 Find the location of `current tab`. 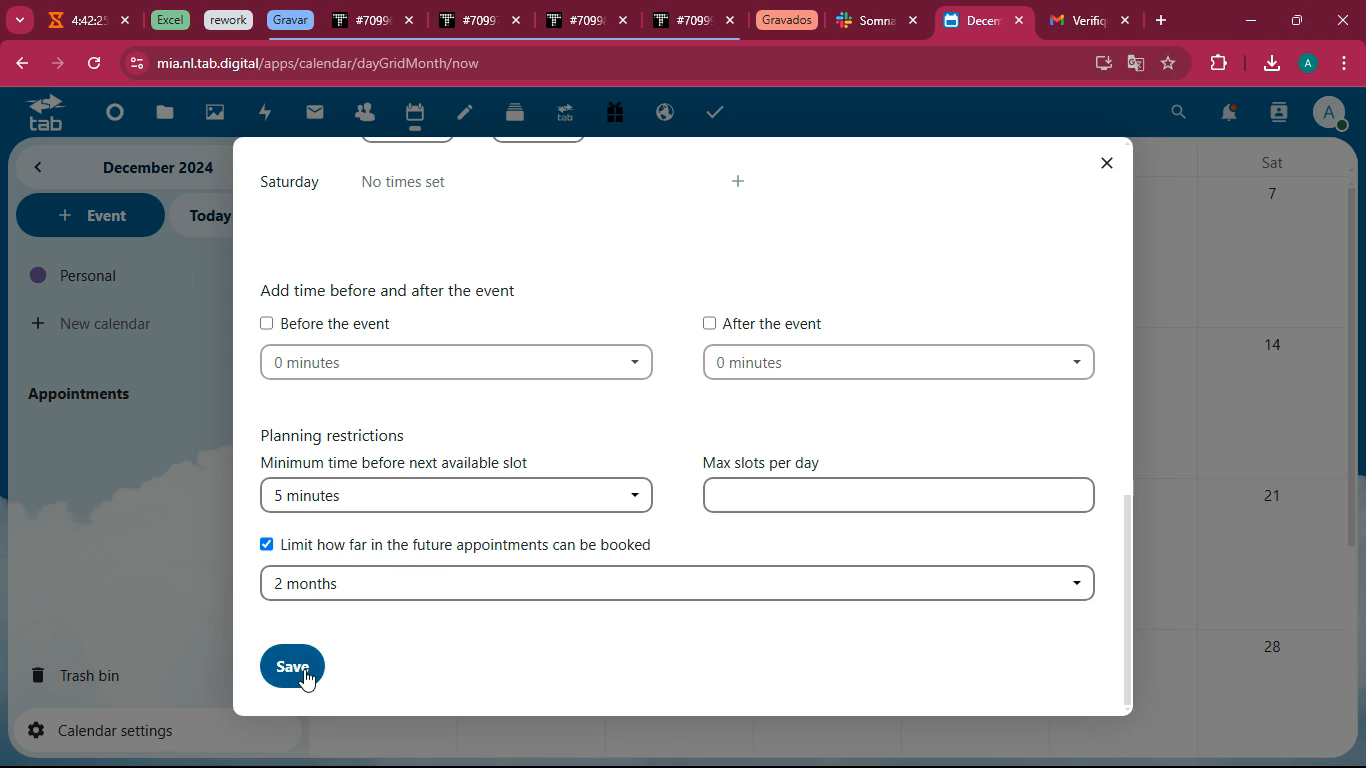

current tab is located at coordinates (972, 26).